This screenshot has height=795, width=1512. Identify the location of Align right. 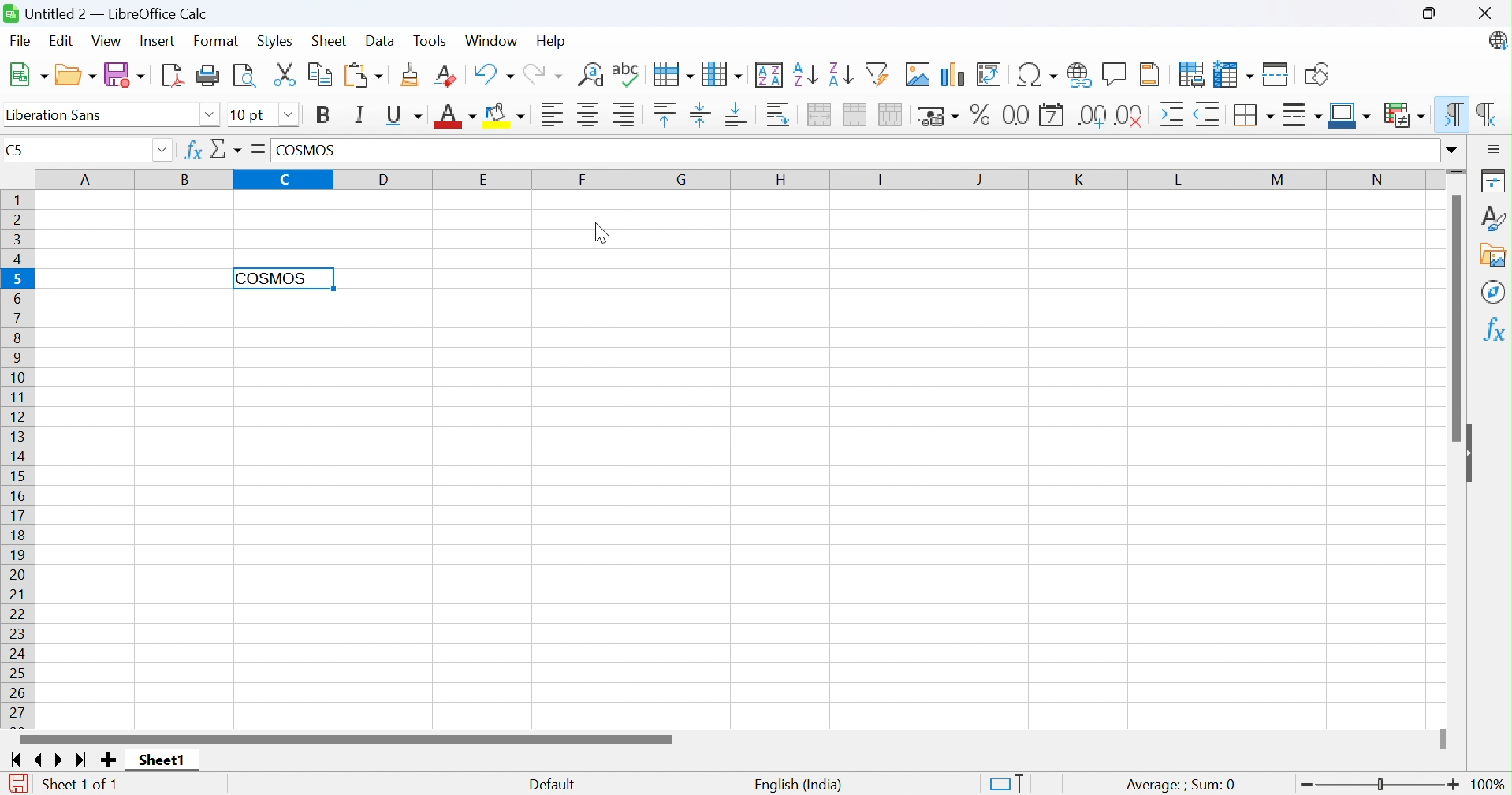
(625, 114).